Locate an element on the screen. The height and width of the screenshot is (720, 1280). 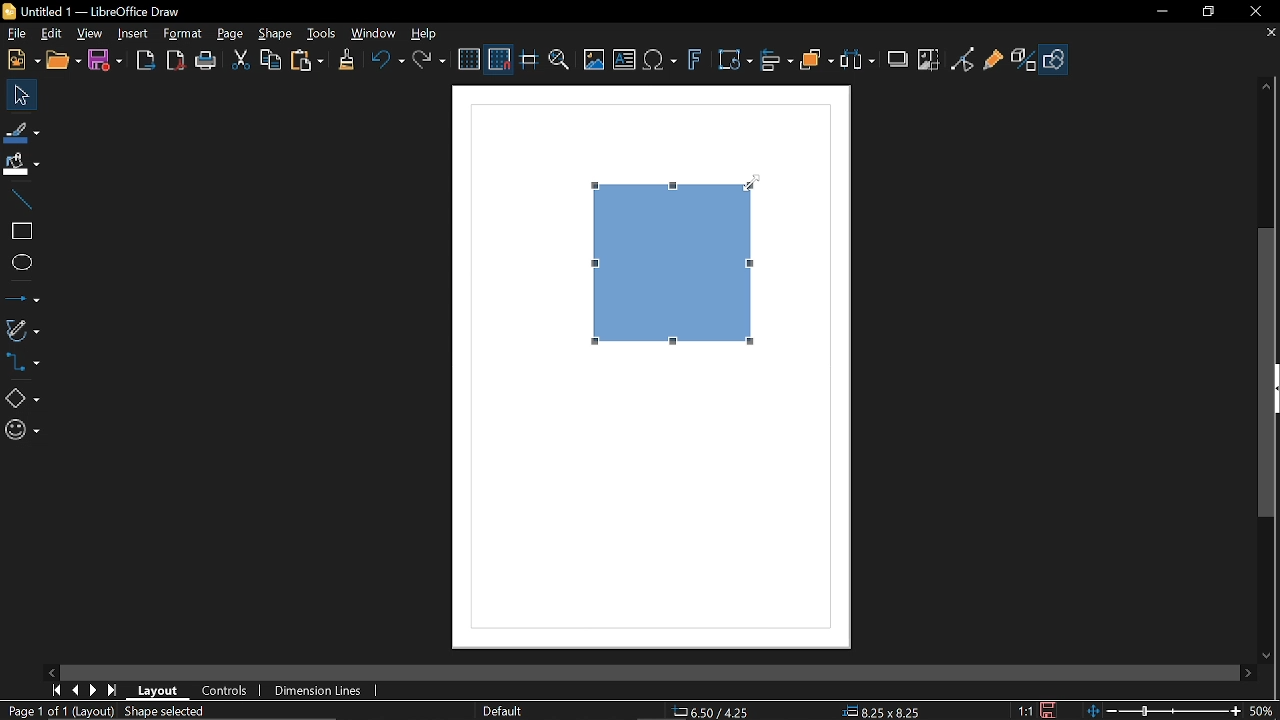
Basic shapes is located at coordinates (21, 398).